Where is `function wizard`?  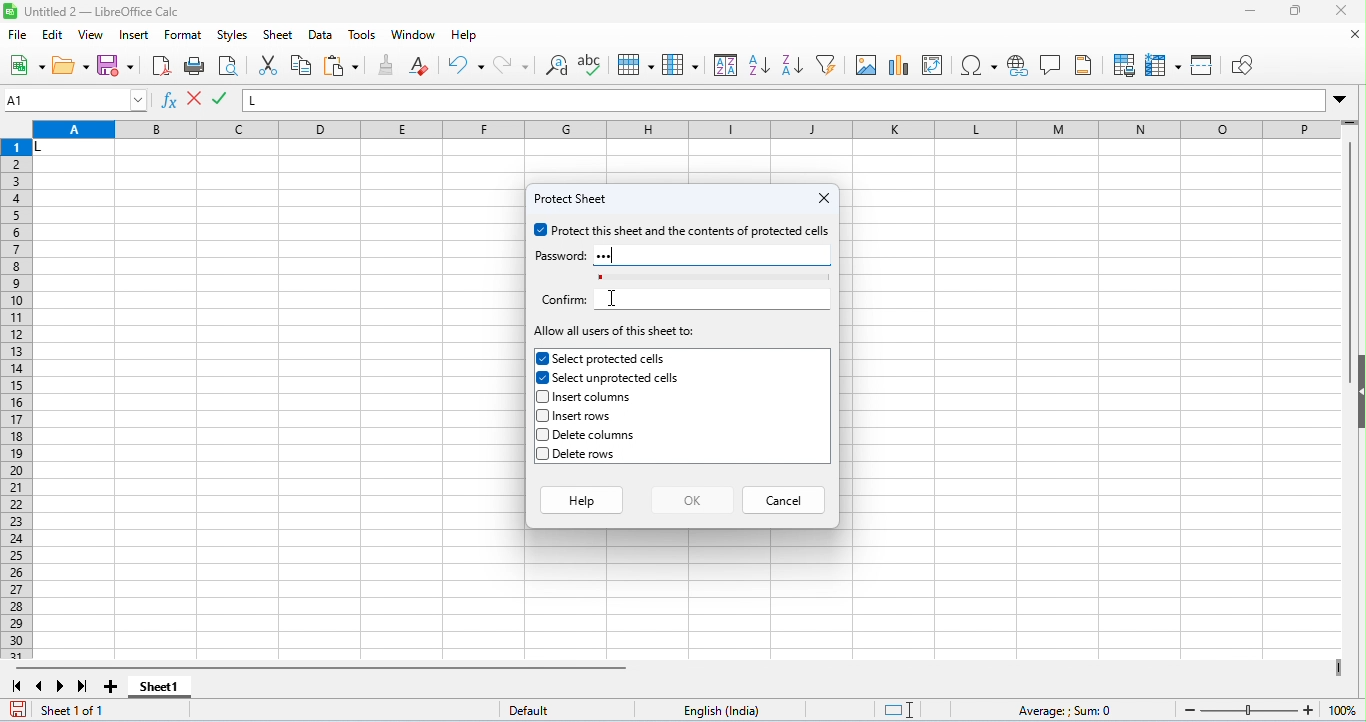 function wizard is located at coordinates (171, 102).